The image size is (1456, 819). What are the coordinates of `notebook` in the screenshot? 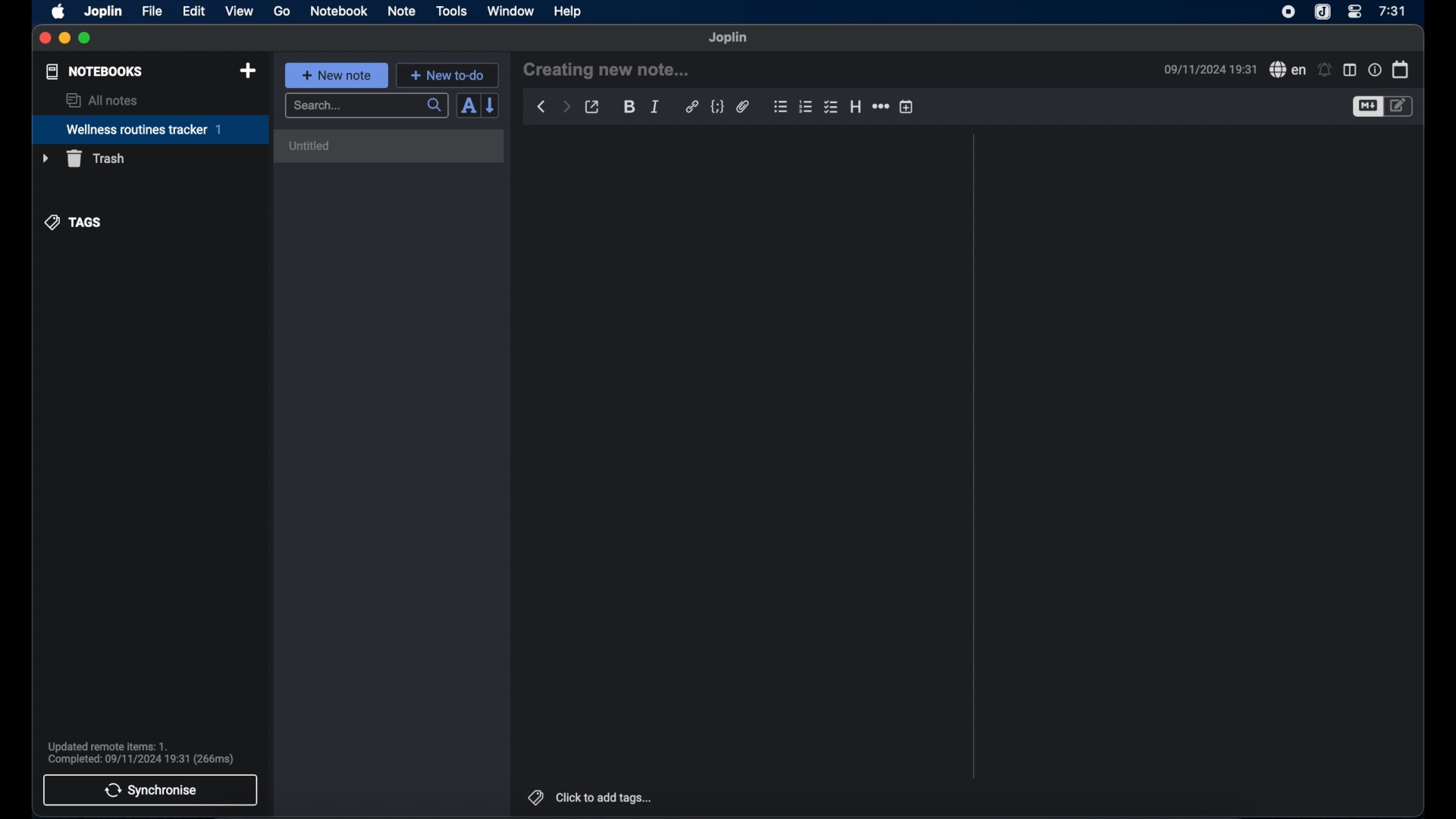 It's located at (339, 11).